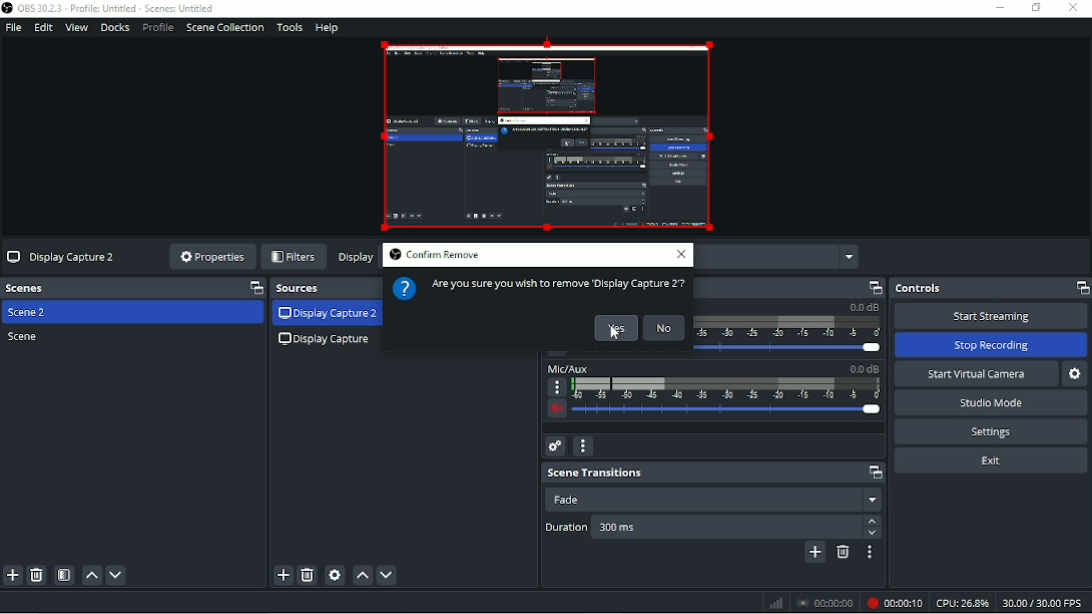 The image size is (1092, 614). I want to click on Audio mixer menu, so click(584, 447).